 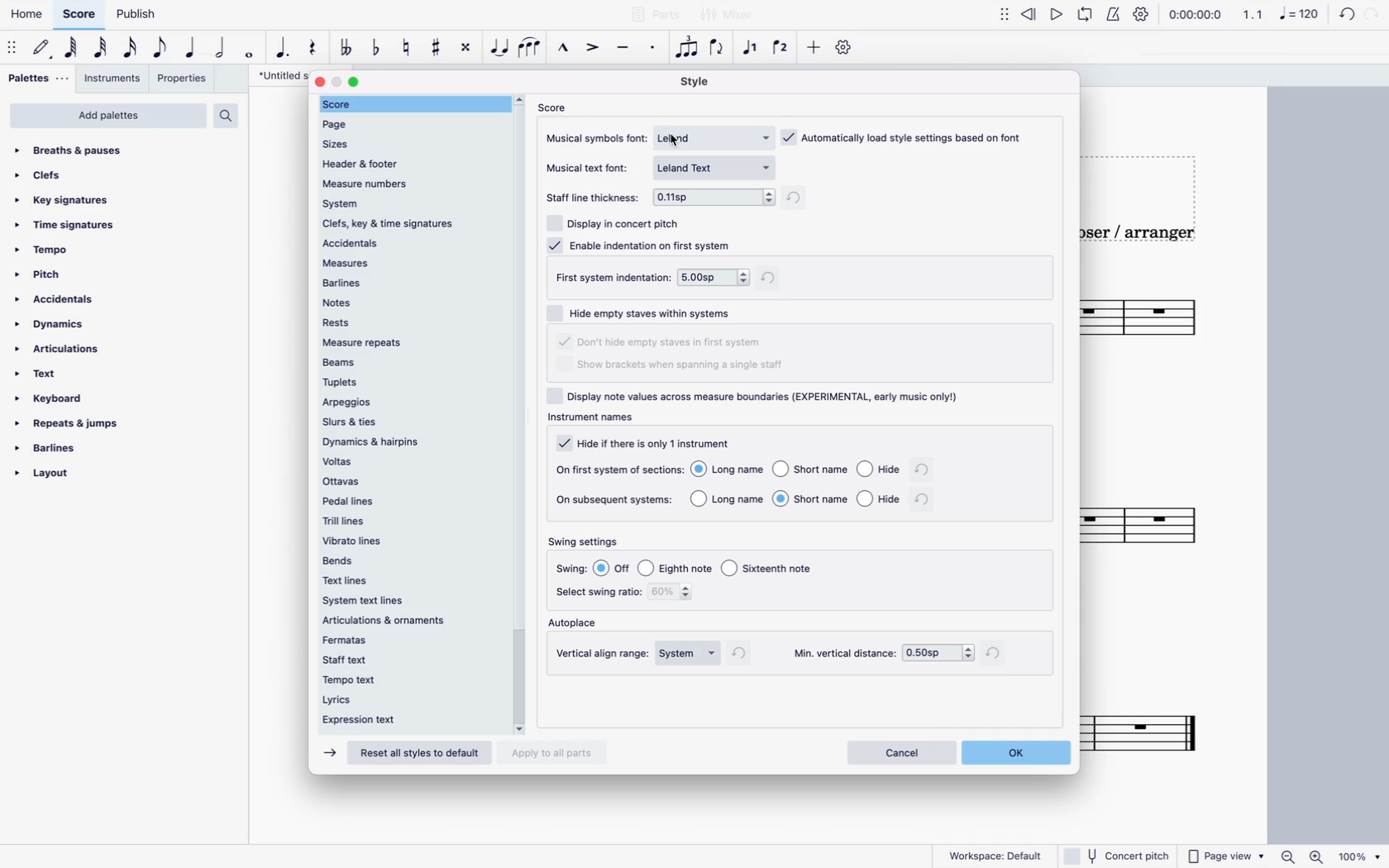 I want to click on breaths & pauses, so click(x=77, y=148).